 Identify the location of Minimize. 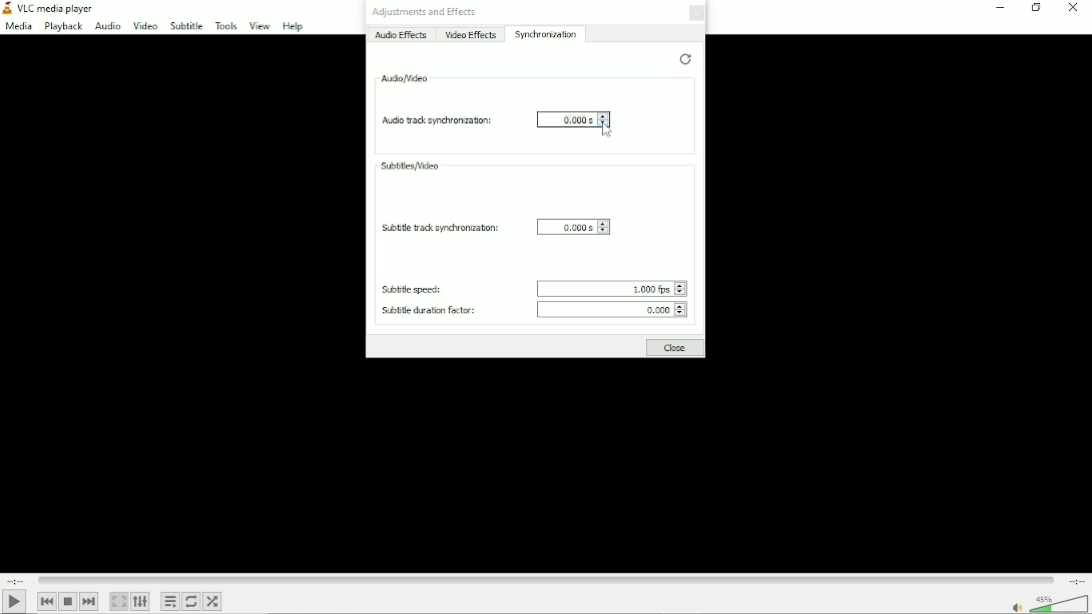
(999, 9).